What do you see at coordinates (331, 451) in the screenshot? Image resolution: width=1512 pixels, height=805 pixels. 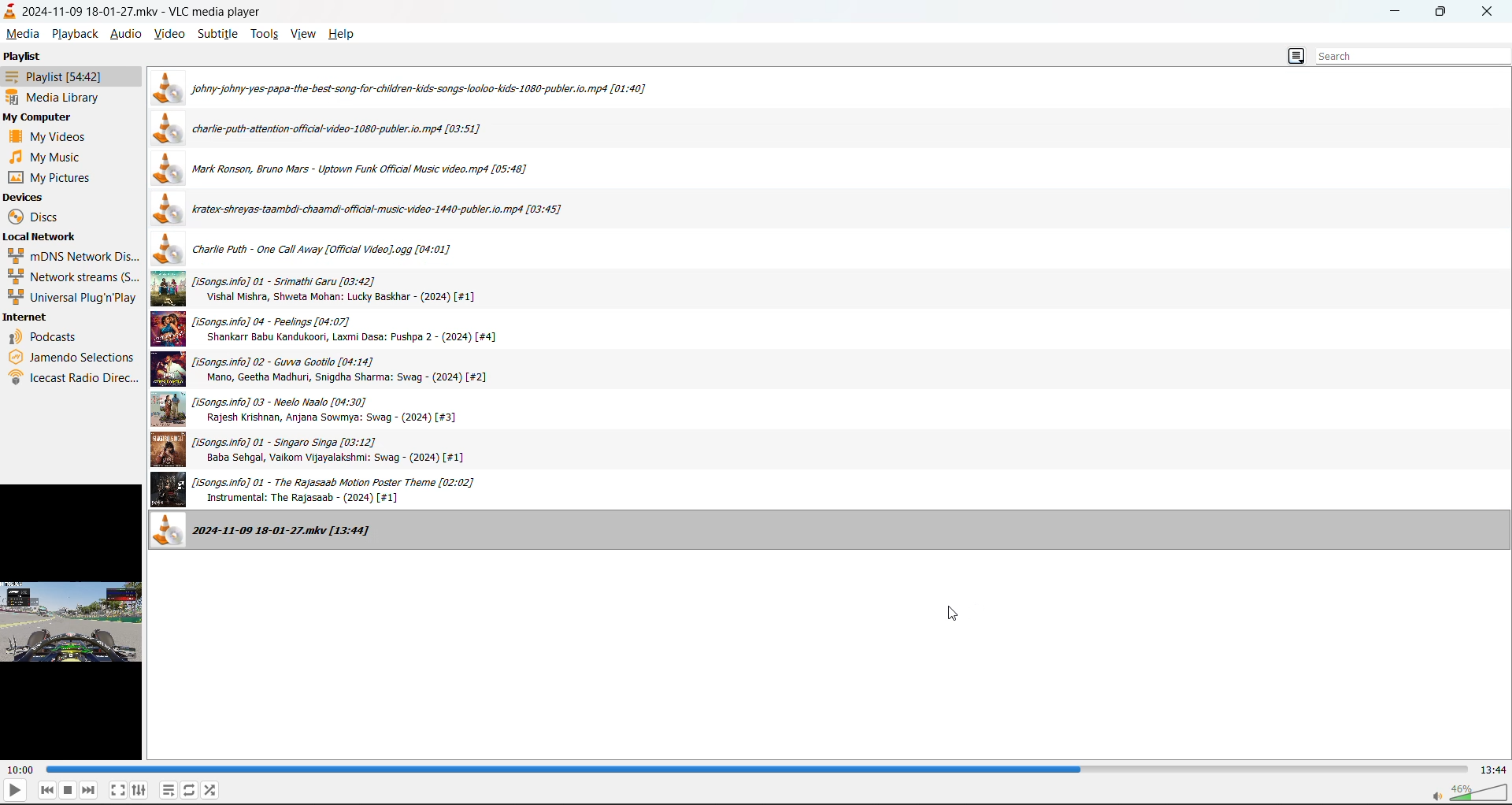 I see `tracks without duration` at bounding box center [331, 451].